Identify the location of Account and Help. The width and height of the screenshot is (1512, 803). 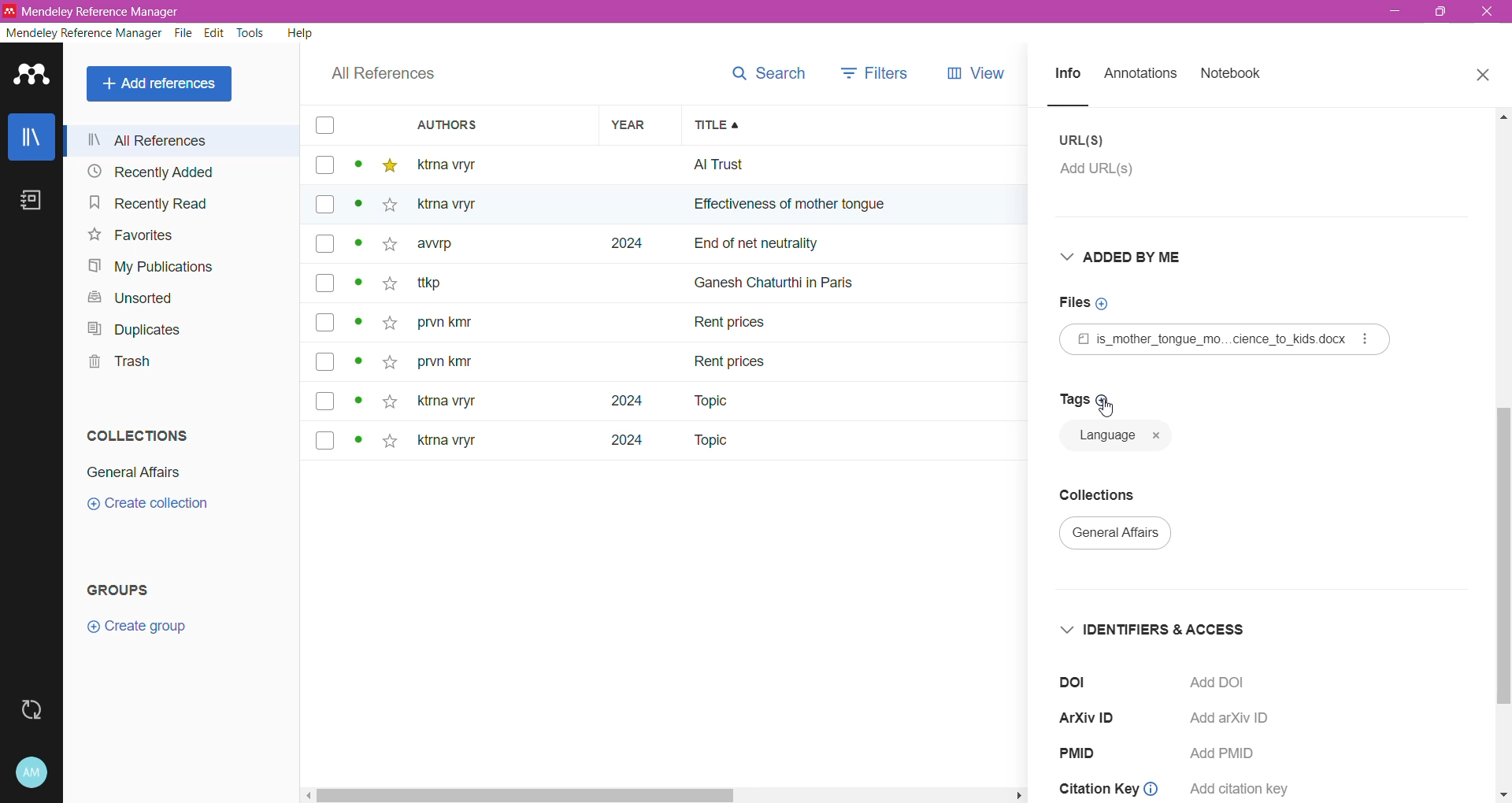
(32, 773).